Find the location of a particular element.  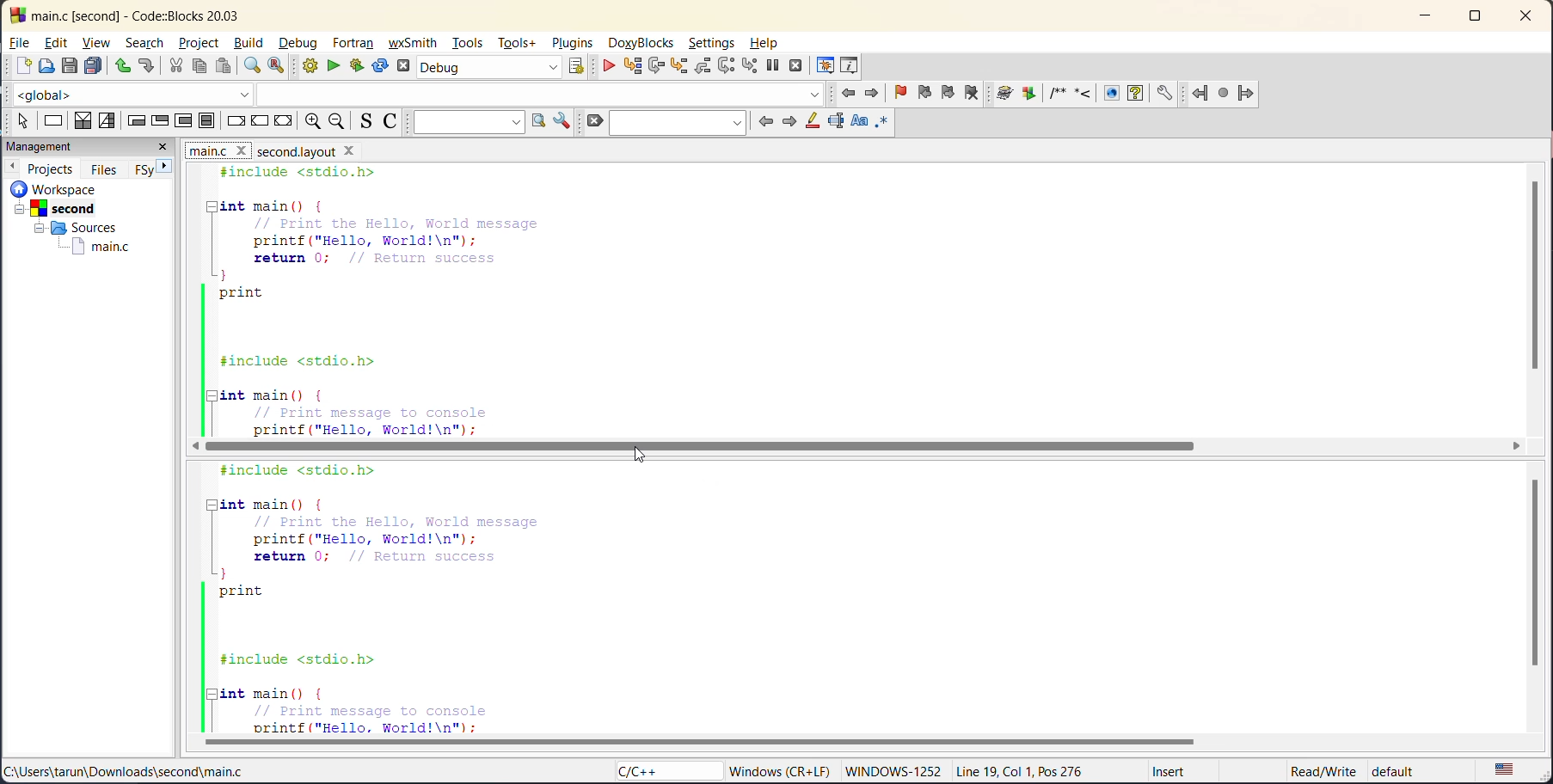

select is located at coordinates (21, 121).